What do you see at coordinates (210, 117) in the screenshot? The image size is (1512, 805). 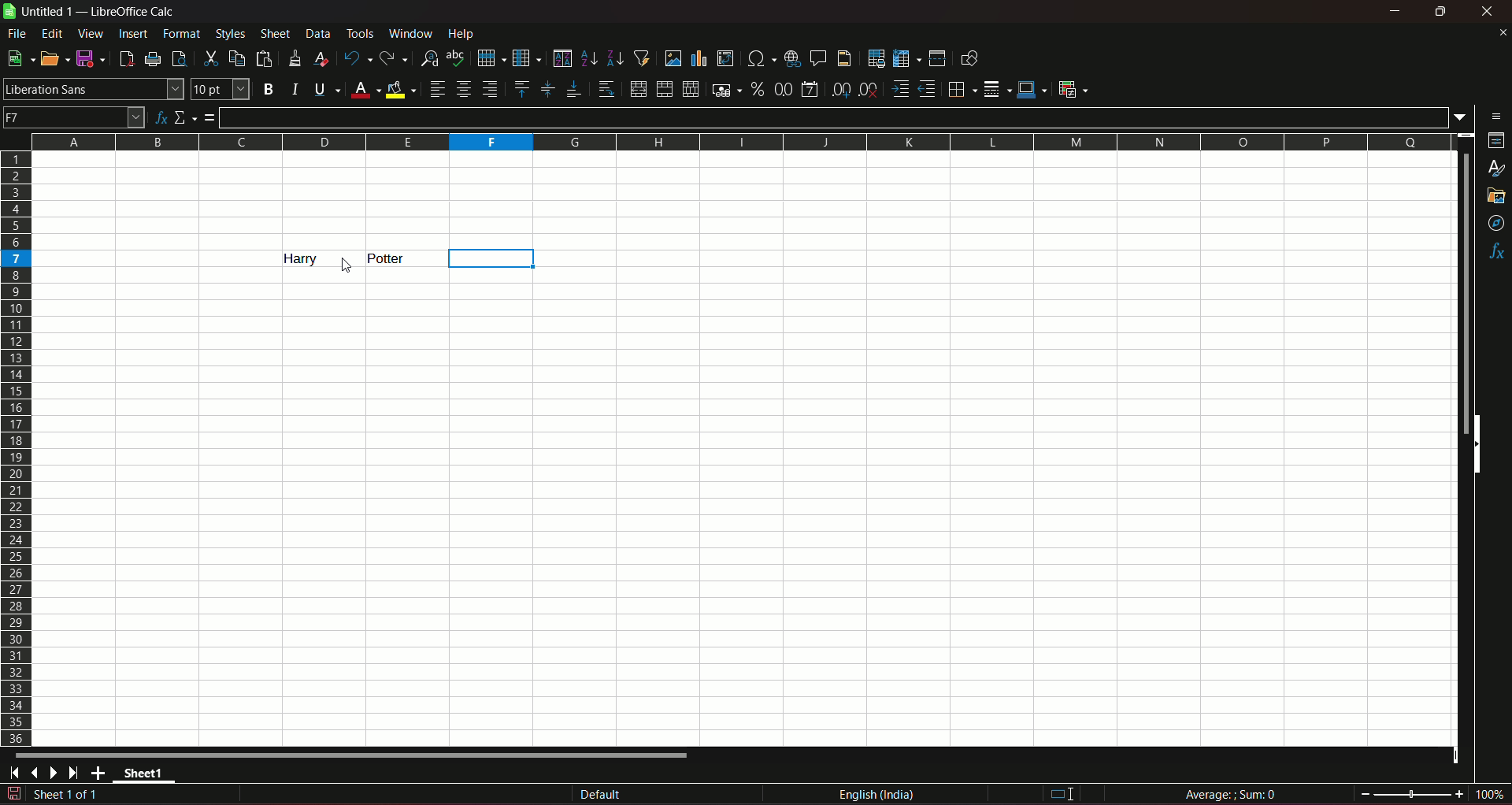 I see `formula` at bounding box center [210, 117].